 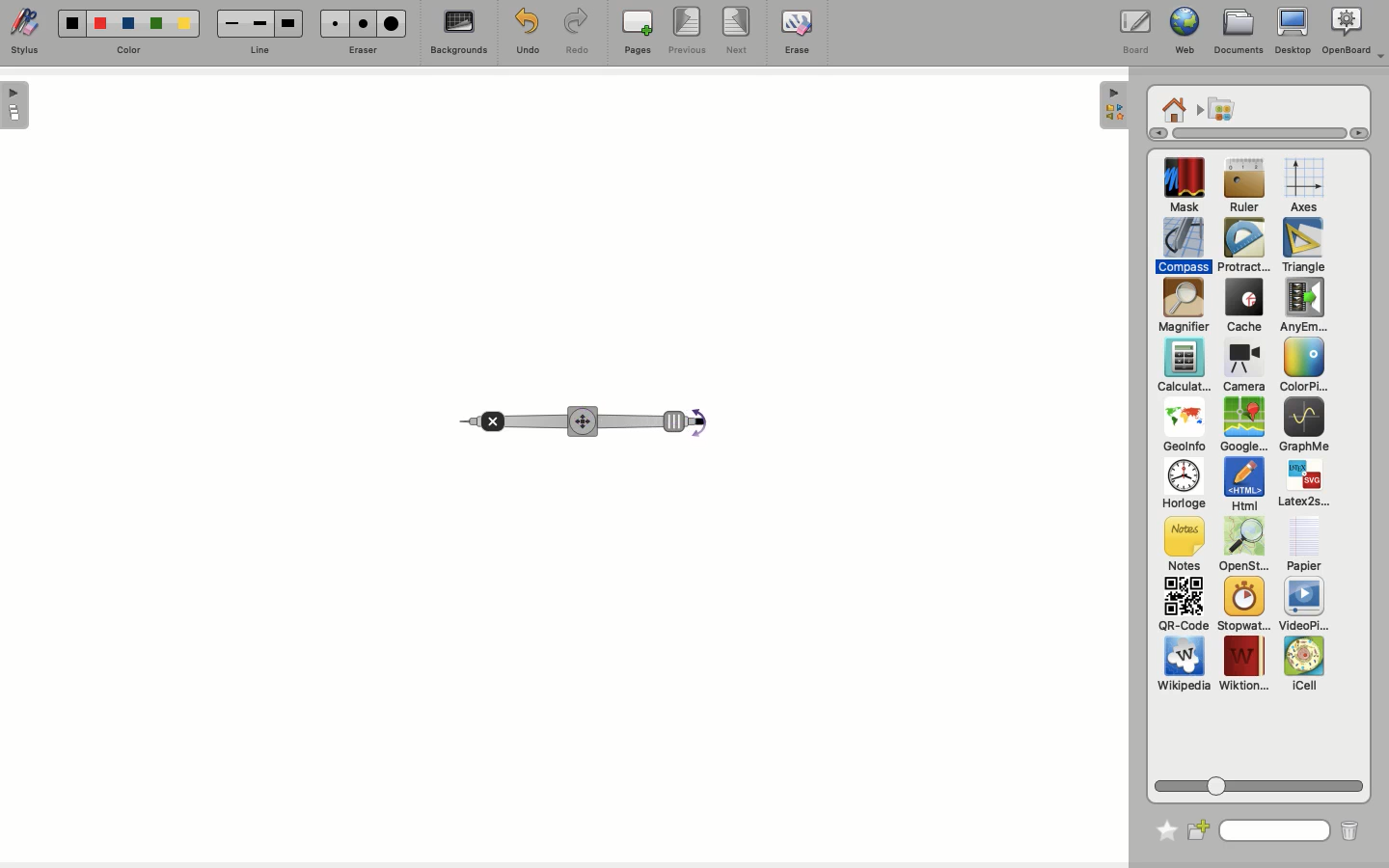 What do you see at coordinates (1301, 246) in the screenshot?
I see `Triangle` at bounding box center [1301, 246].